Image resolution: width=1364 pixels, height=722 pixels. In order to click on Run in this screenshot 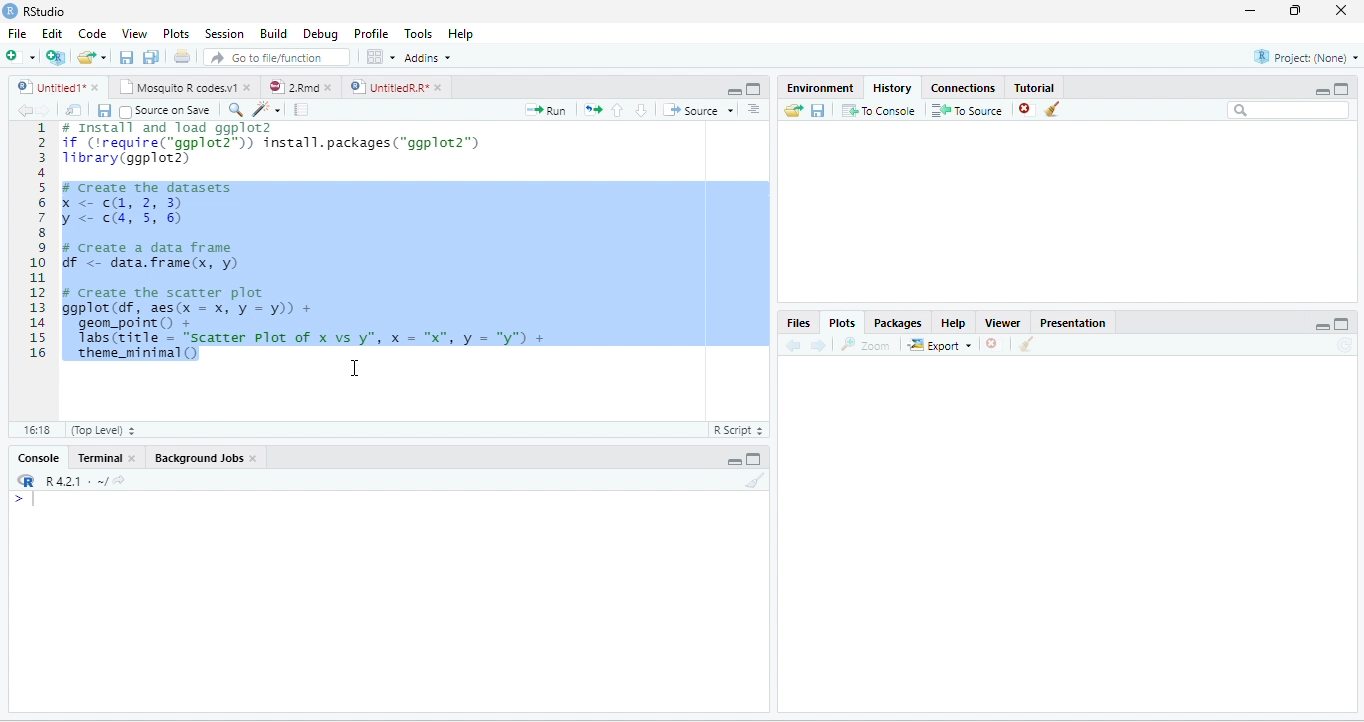, I will do `click(546, 110)`.